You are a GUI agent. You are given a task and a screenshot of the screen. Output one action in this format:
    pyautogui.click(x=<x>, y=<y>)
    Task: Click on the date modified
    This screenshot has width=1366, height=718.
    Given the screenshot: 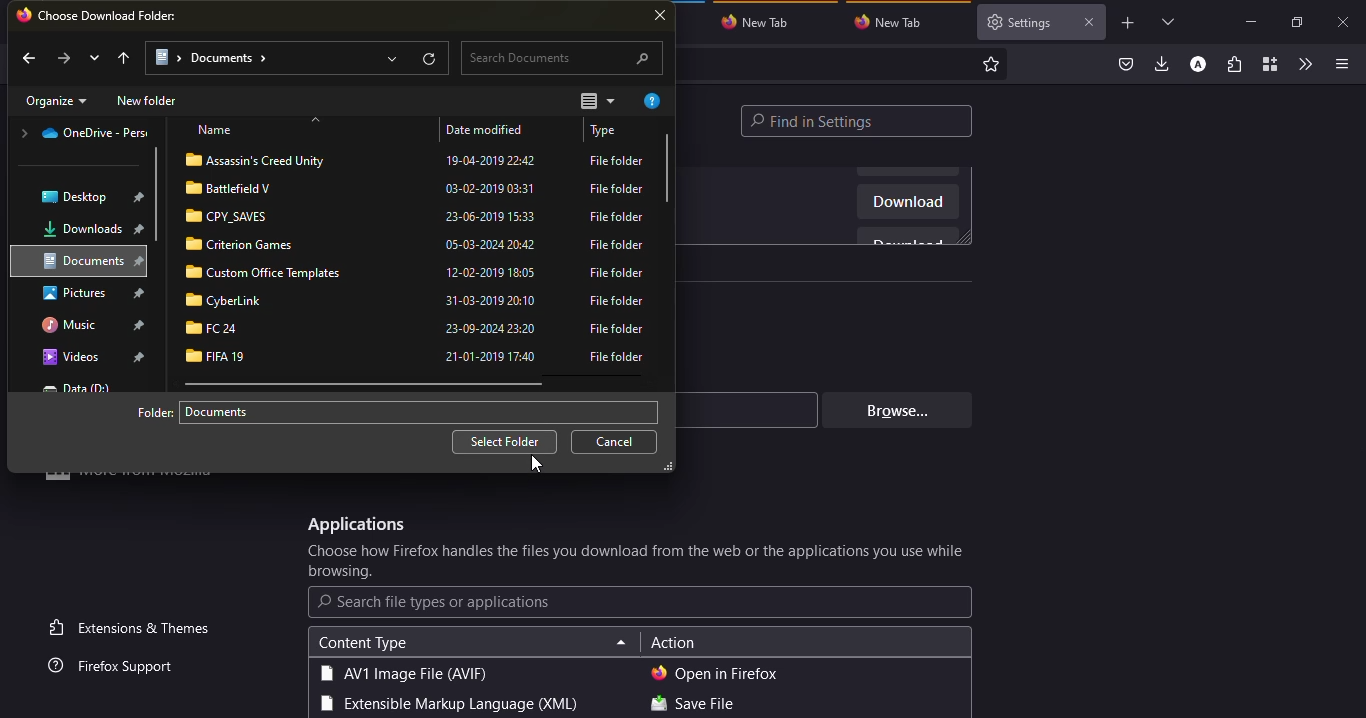 What is the action you would take?
    pyautogui.click(x=492, y=189)
    